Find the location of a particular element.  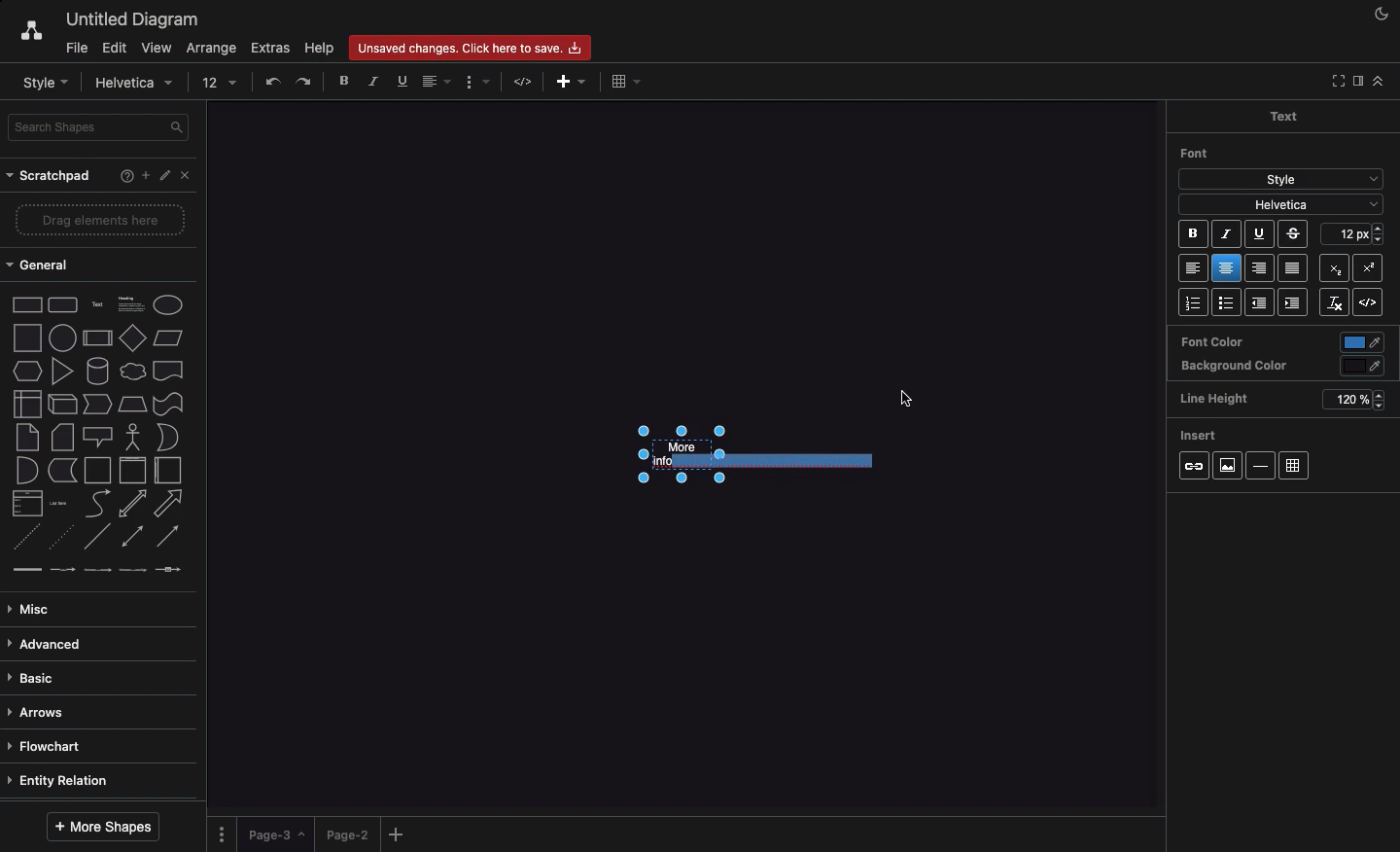

Page 2 is located at coordinates (345, 834).